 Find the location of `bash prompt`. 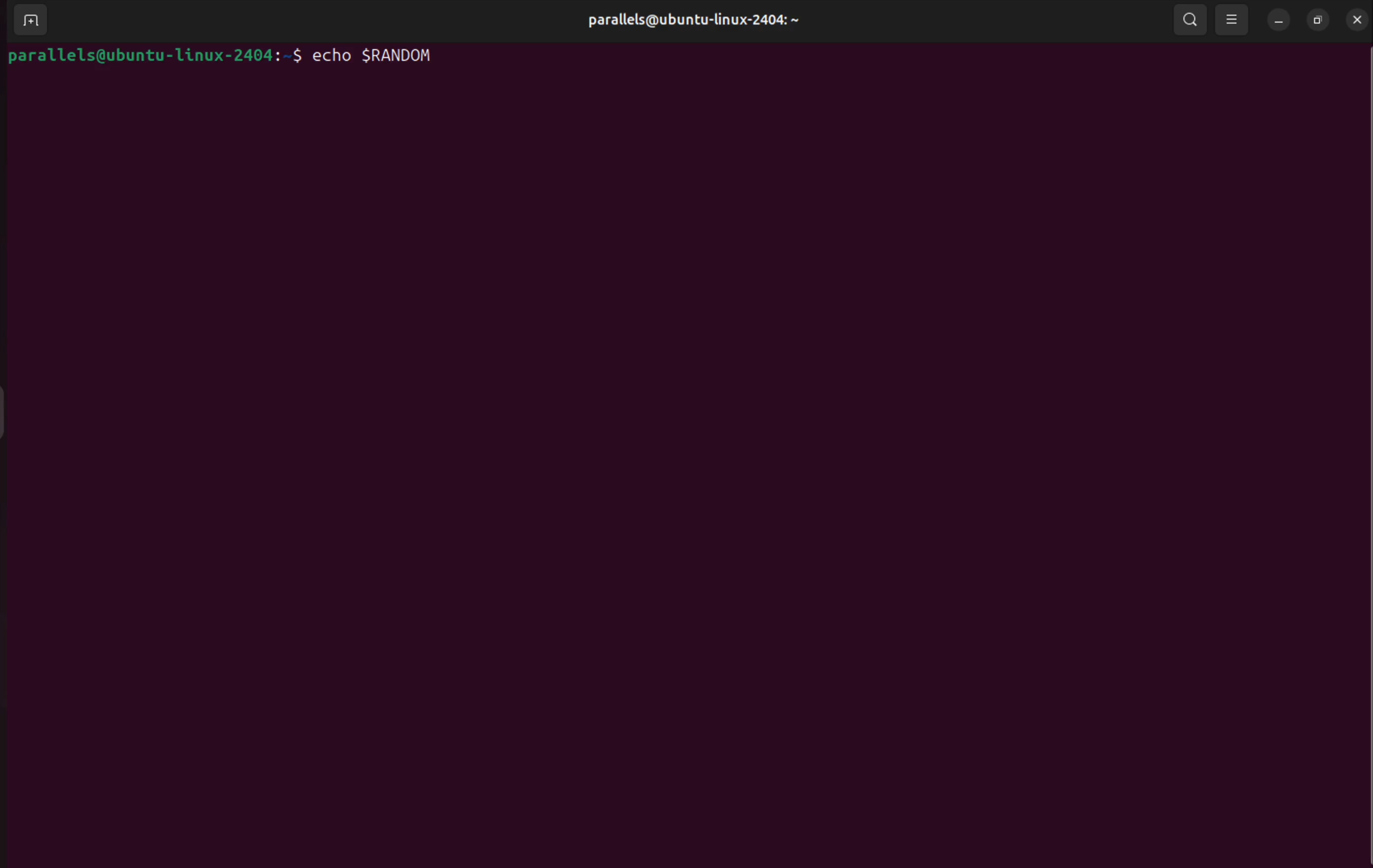

bash prompt is located at coordinates (151, 55).